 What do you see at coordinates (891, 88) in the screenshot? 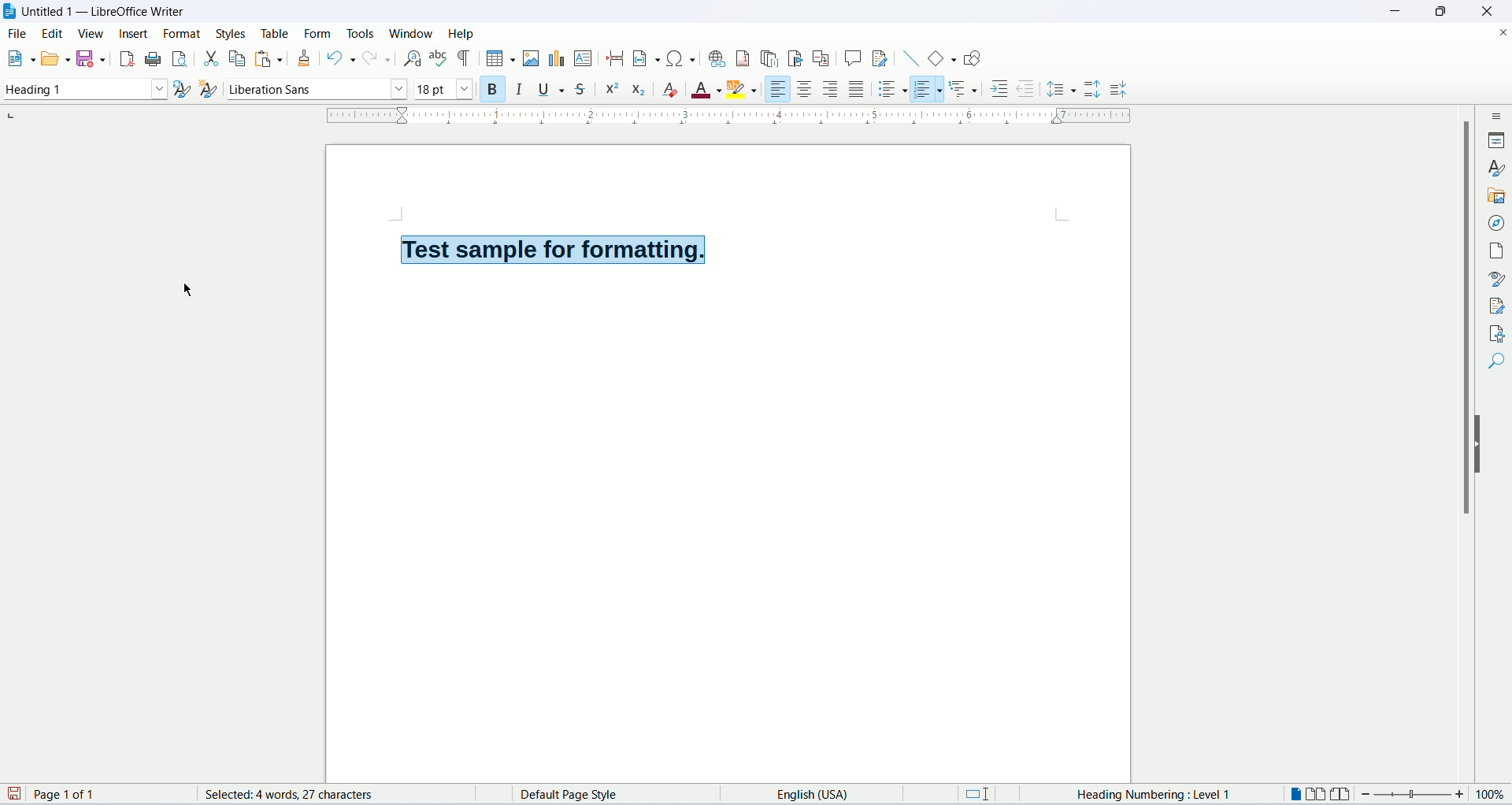
I see `unordered list` at bounding box center [891, 88].